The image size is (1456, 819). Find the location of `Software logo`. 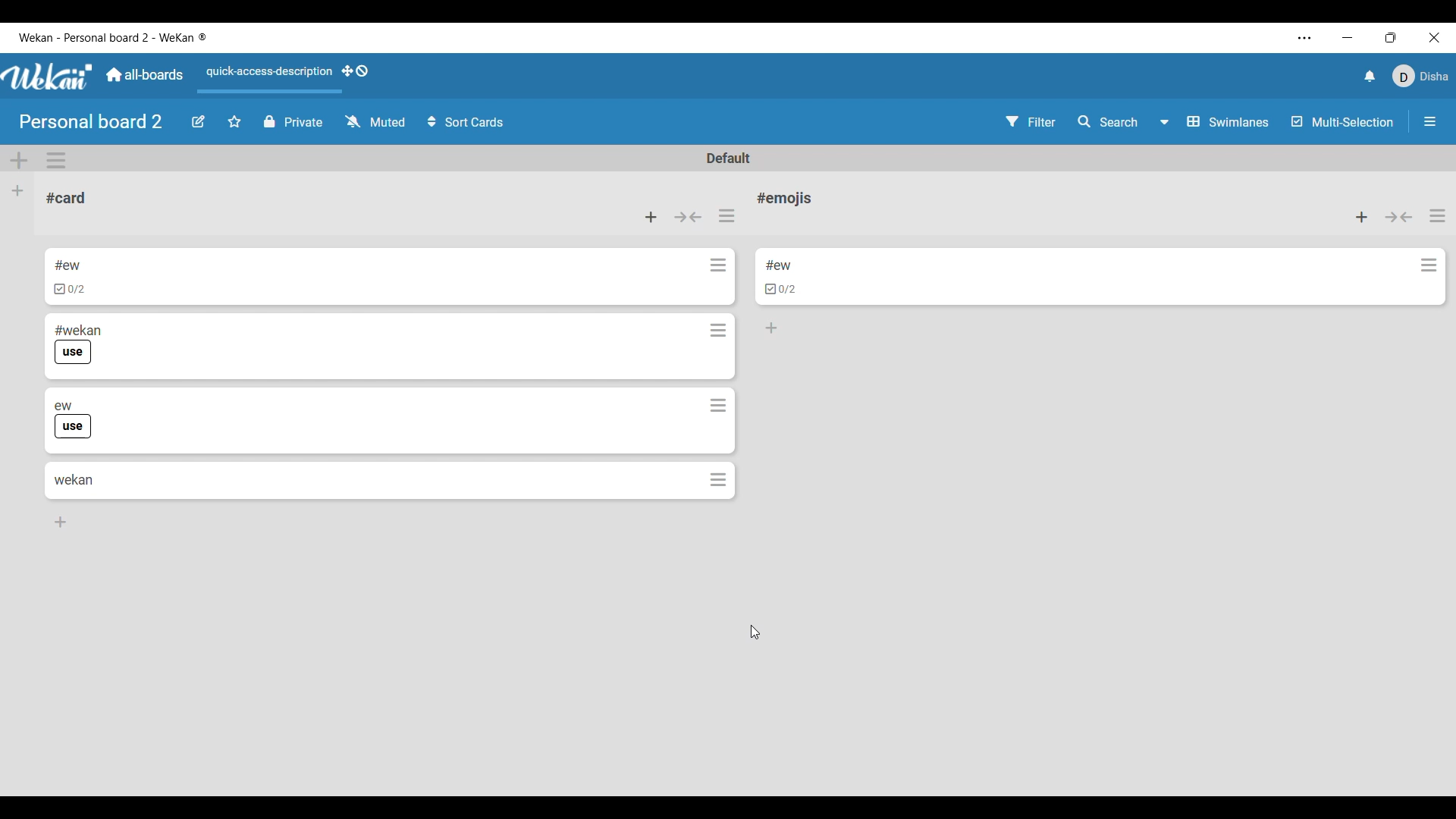

Software logo is located at coordinates (49, 76).